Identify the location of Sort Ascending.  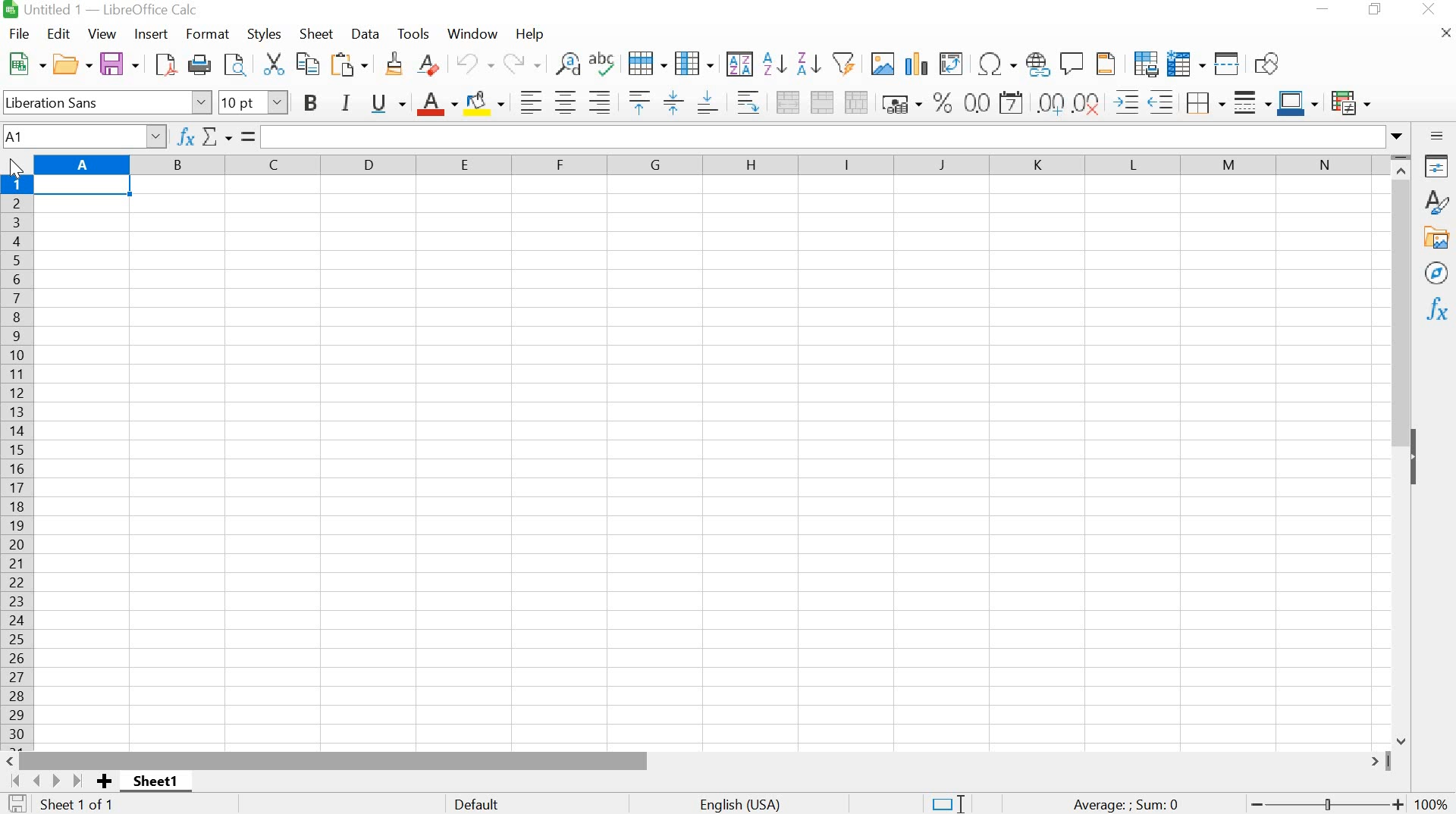
(773, 66).